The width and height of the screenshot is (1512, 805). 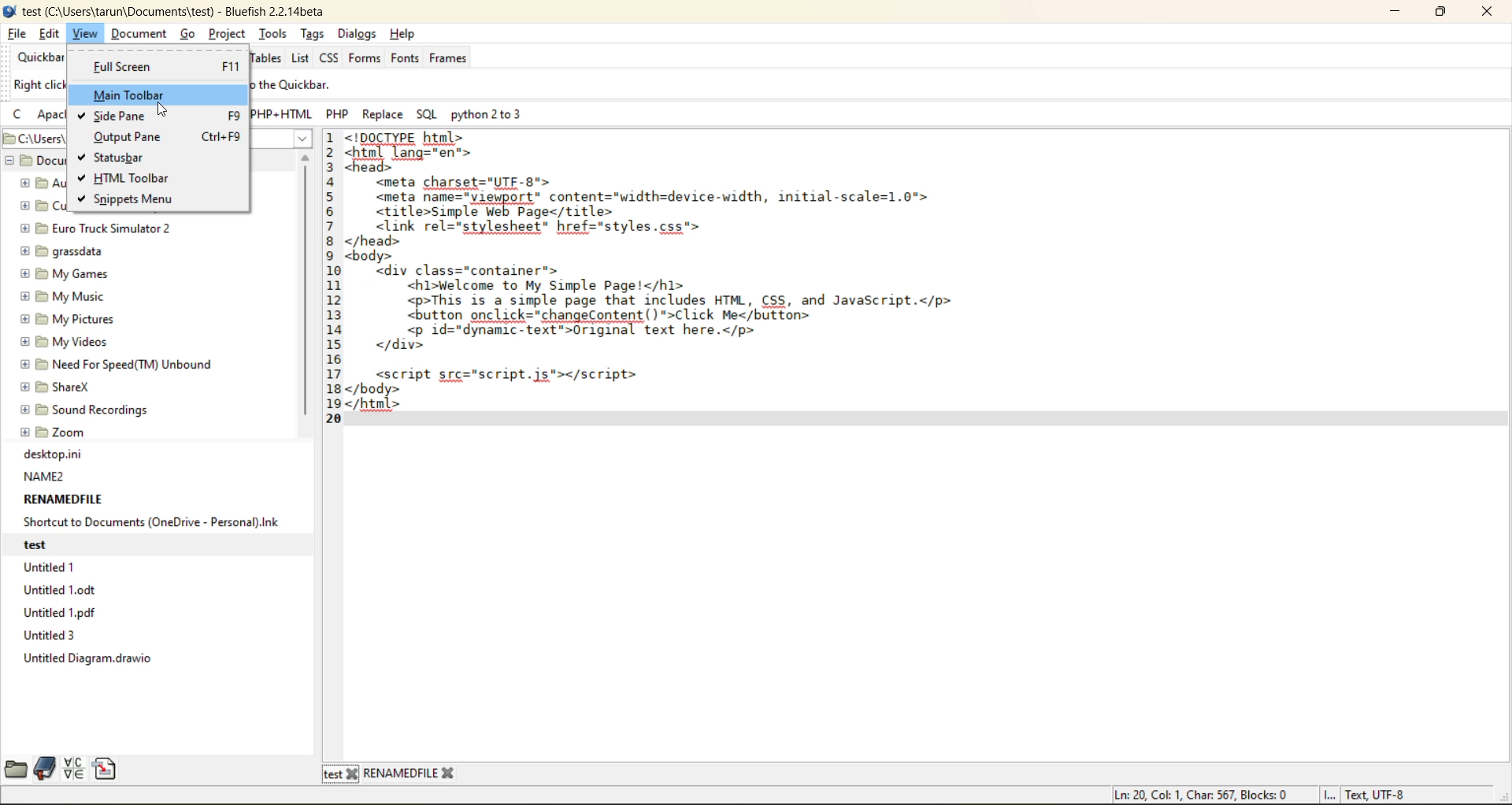 I want to click on list, so click(x=302, y=59).